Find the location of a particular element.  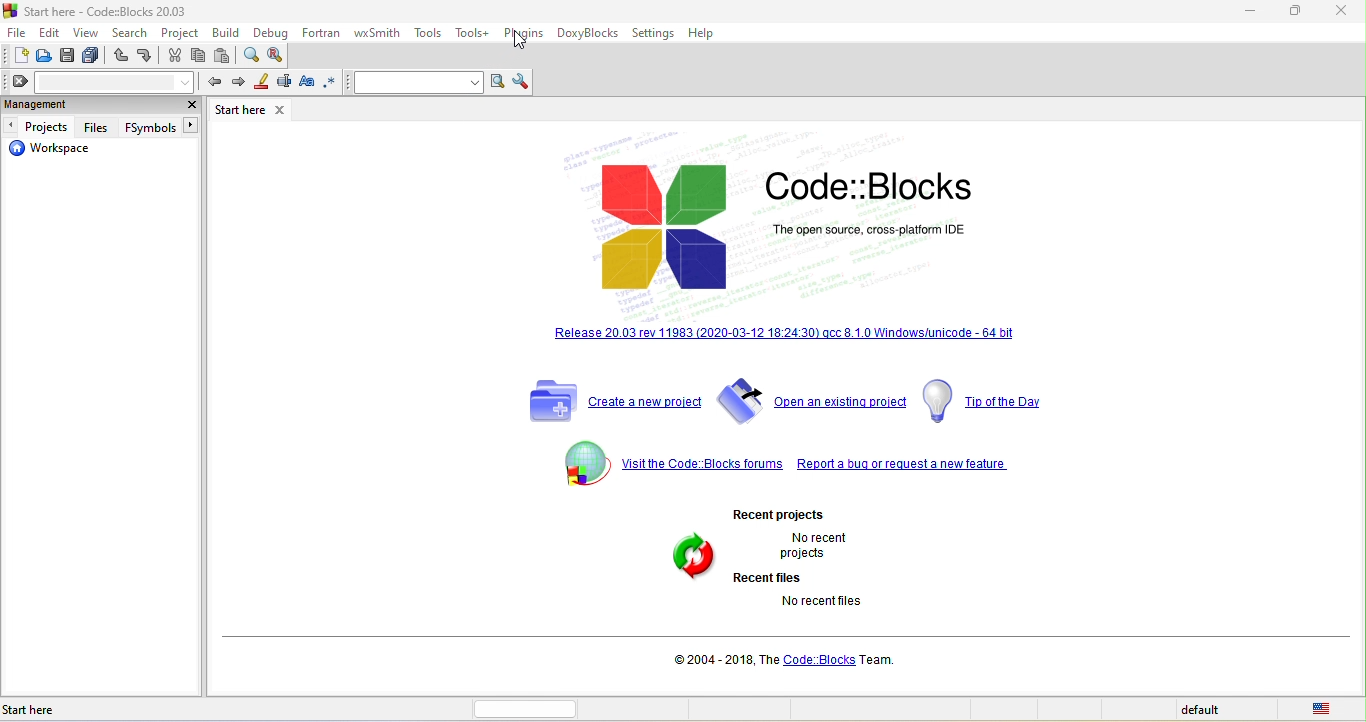

2004-2018 the code blocks team is located at coordinates (790, 660).